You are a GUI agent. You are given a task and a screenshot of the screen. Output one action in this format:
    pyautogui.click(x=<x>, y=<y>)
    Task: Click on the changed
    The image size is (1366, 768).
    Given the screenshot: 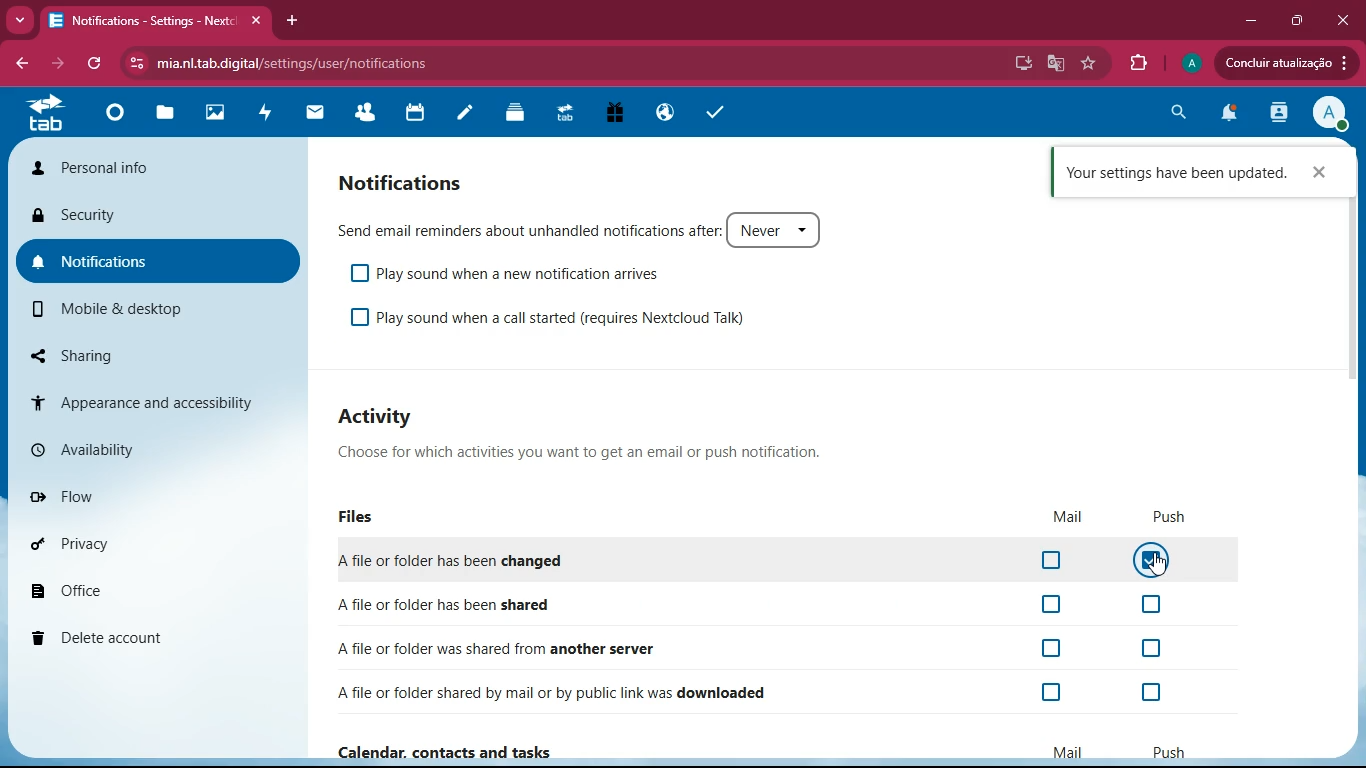 What is the action you would take?
    pyautogui.click(x=485, y=559)
    